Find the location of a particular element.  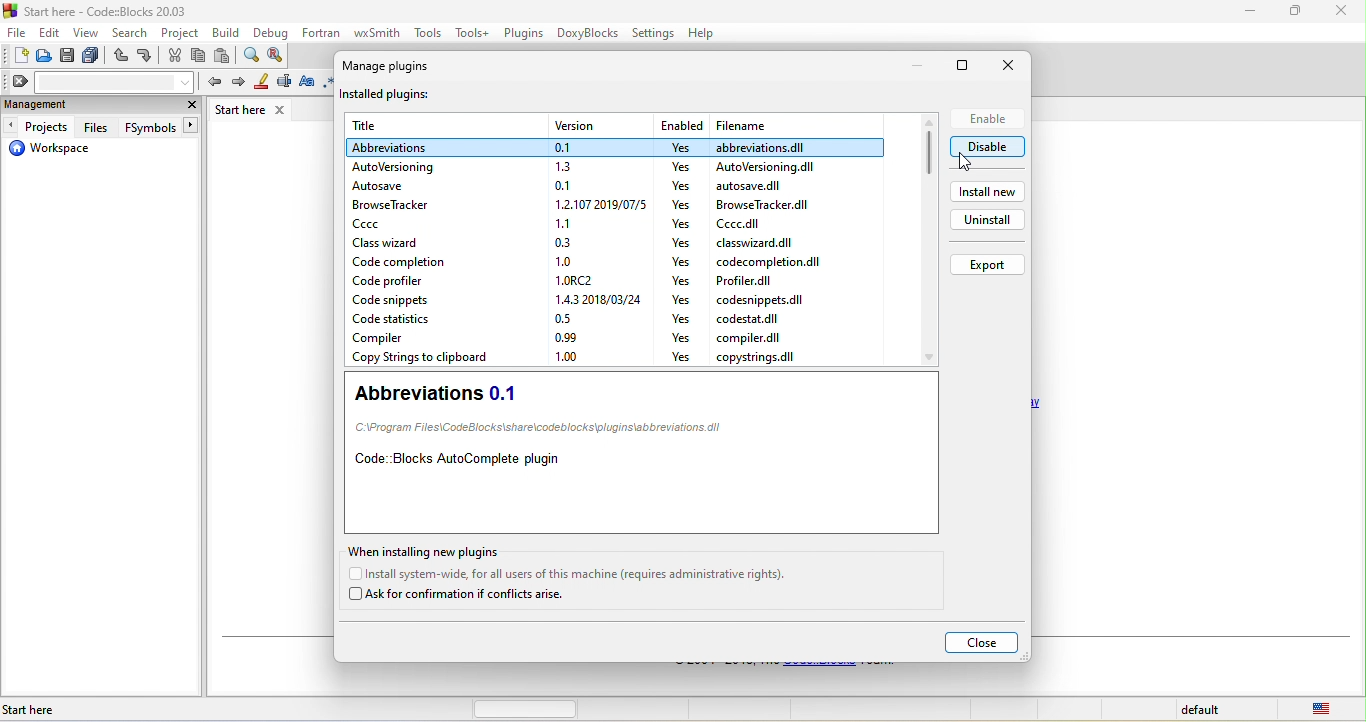

enable is located at coordinates (989, 119).